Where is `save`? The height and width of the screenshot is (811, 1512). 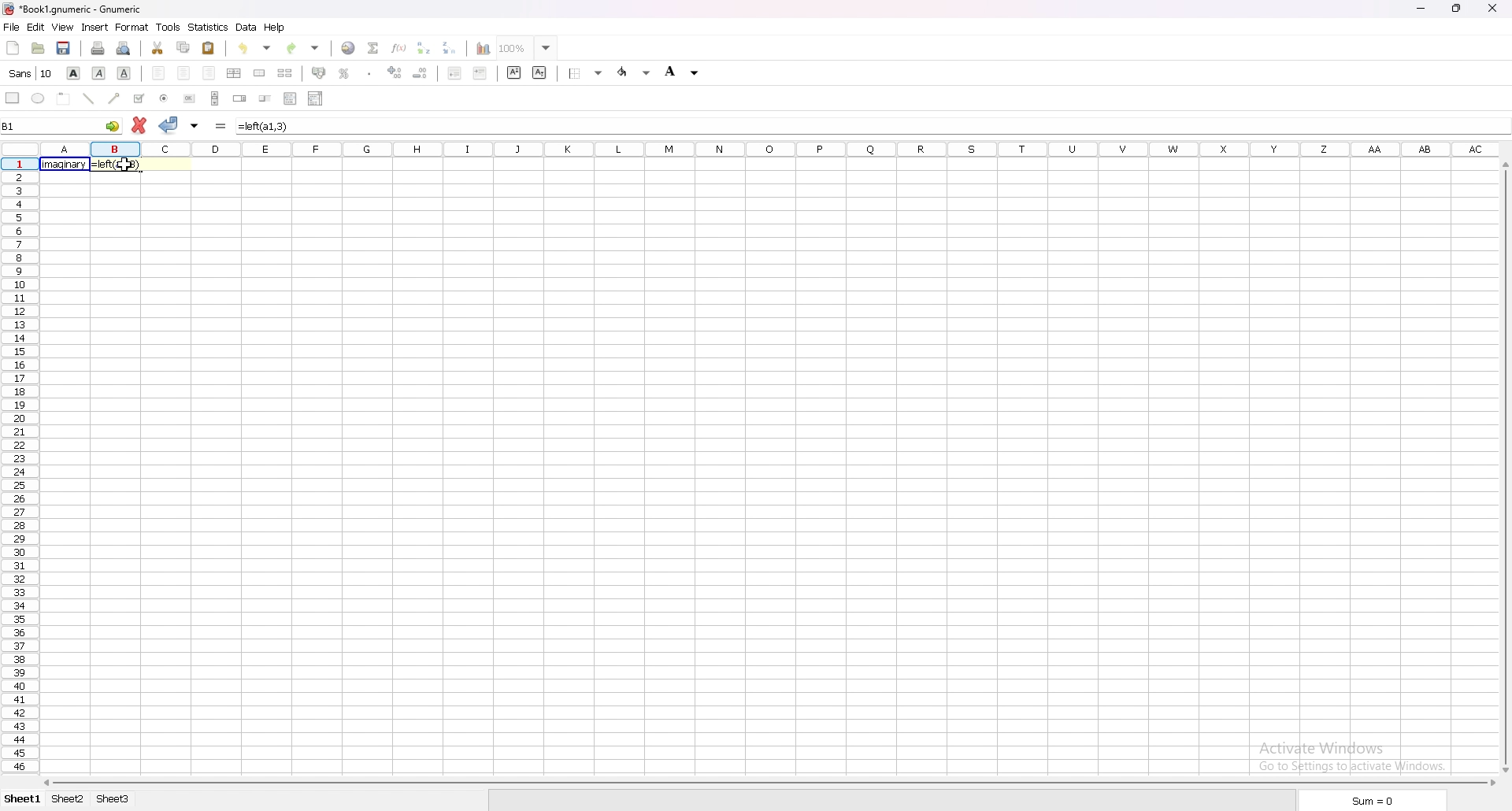 save is located at coordinates (64, 49).